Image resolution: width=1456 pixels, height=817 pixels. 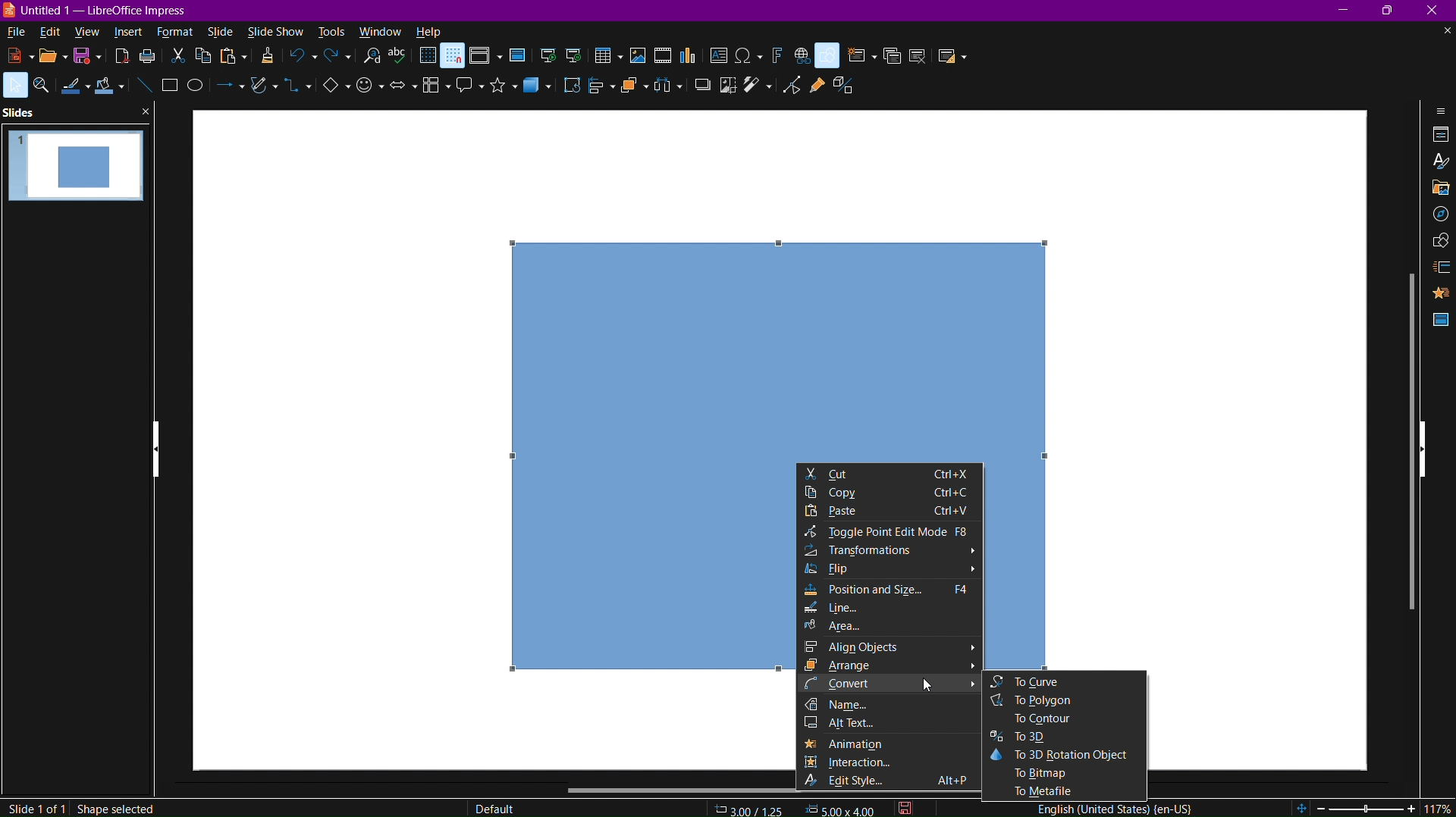 I want to click on Toggle Point Edit Mode, so click(x=893, y=534).